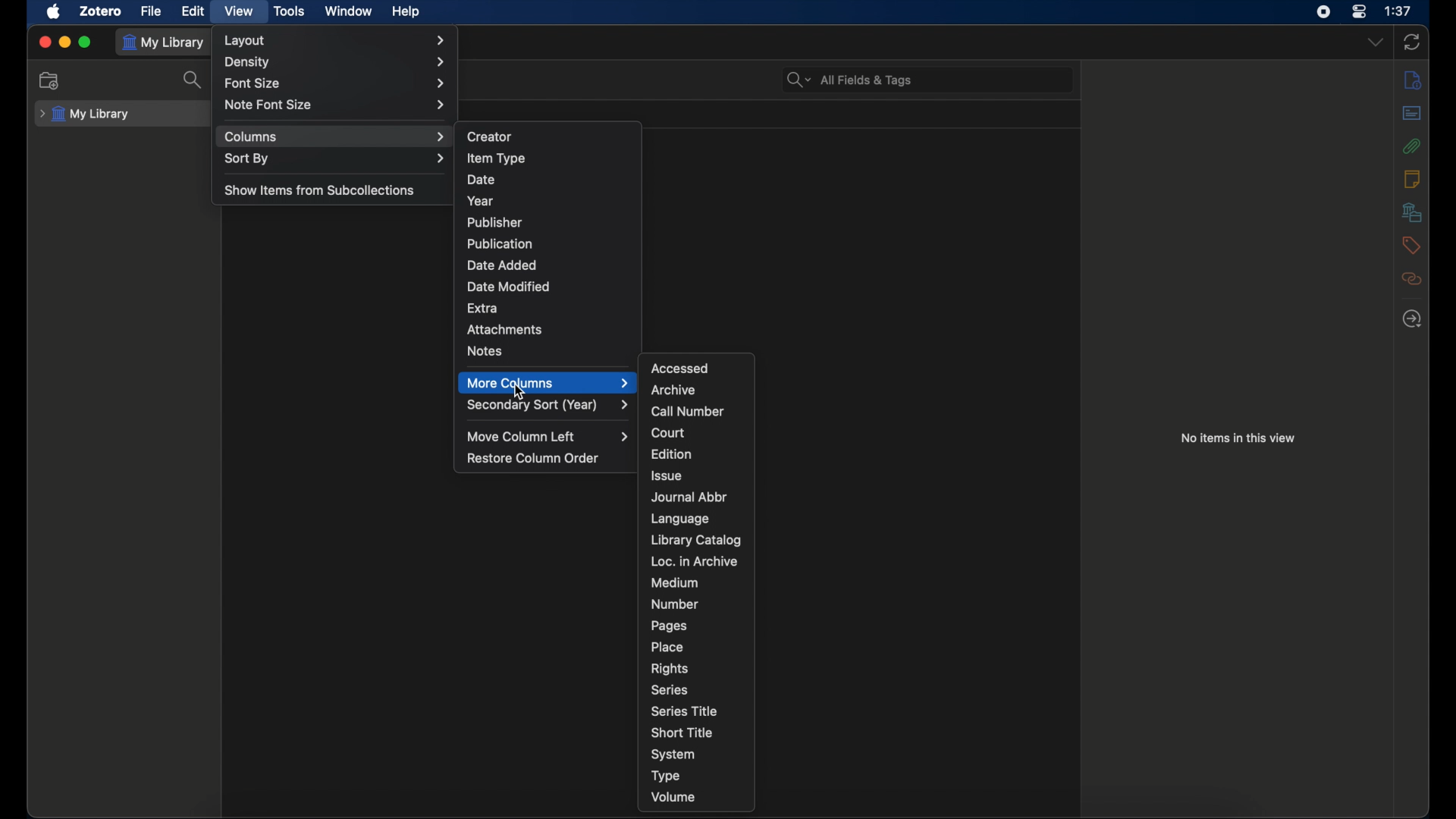  I want to click on libraries, so click(1410, 212).